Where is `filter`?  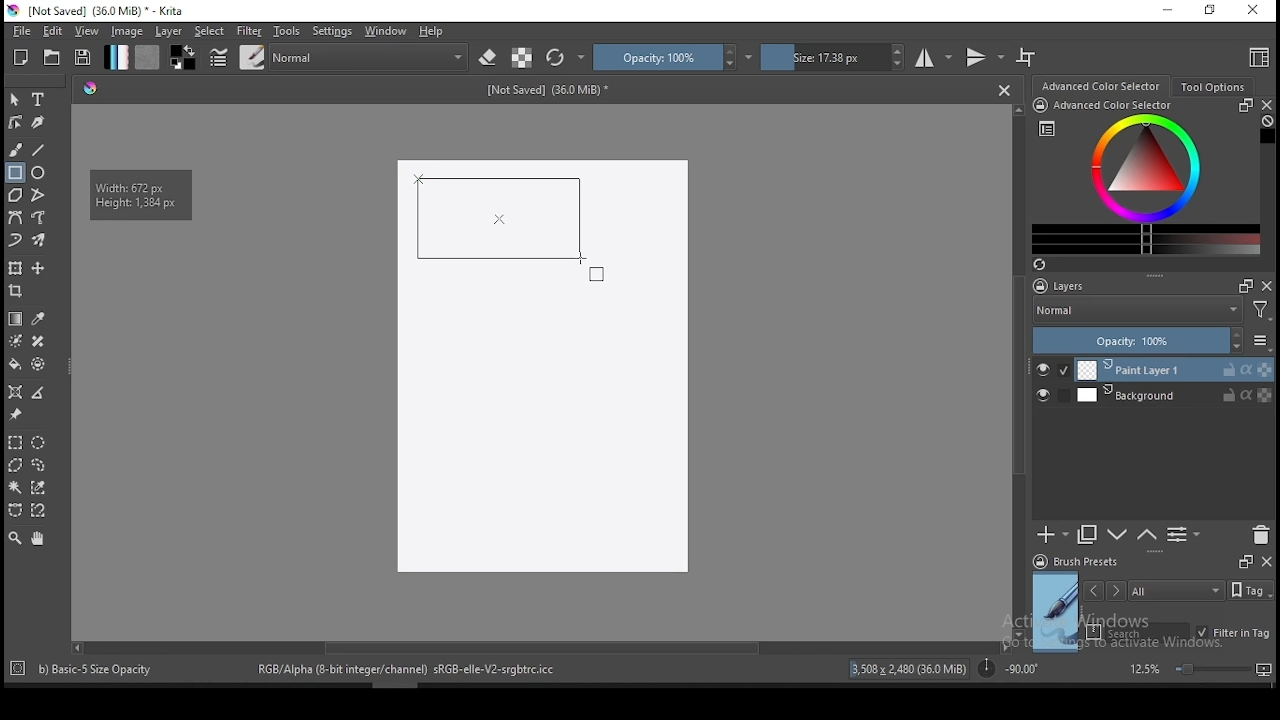 filter is located at coordinates (248, 31).